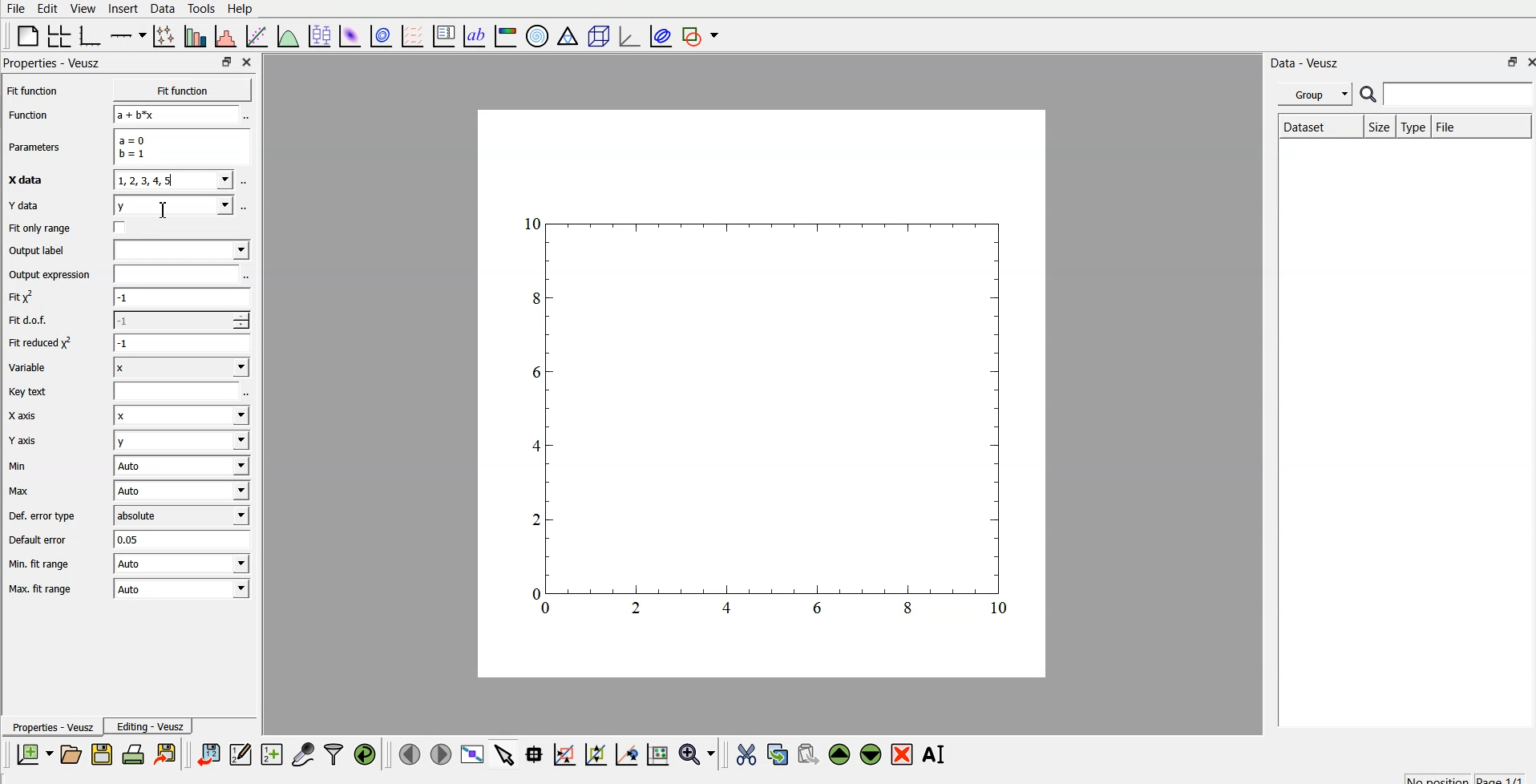 Image resolution: width=1536 pixels, height=784 pixels. Describe the element at coordinates (55, 64) in the screenshot. I see `Properties - Veusz` at that location.